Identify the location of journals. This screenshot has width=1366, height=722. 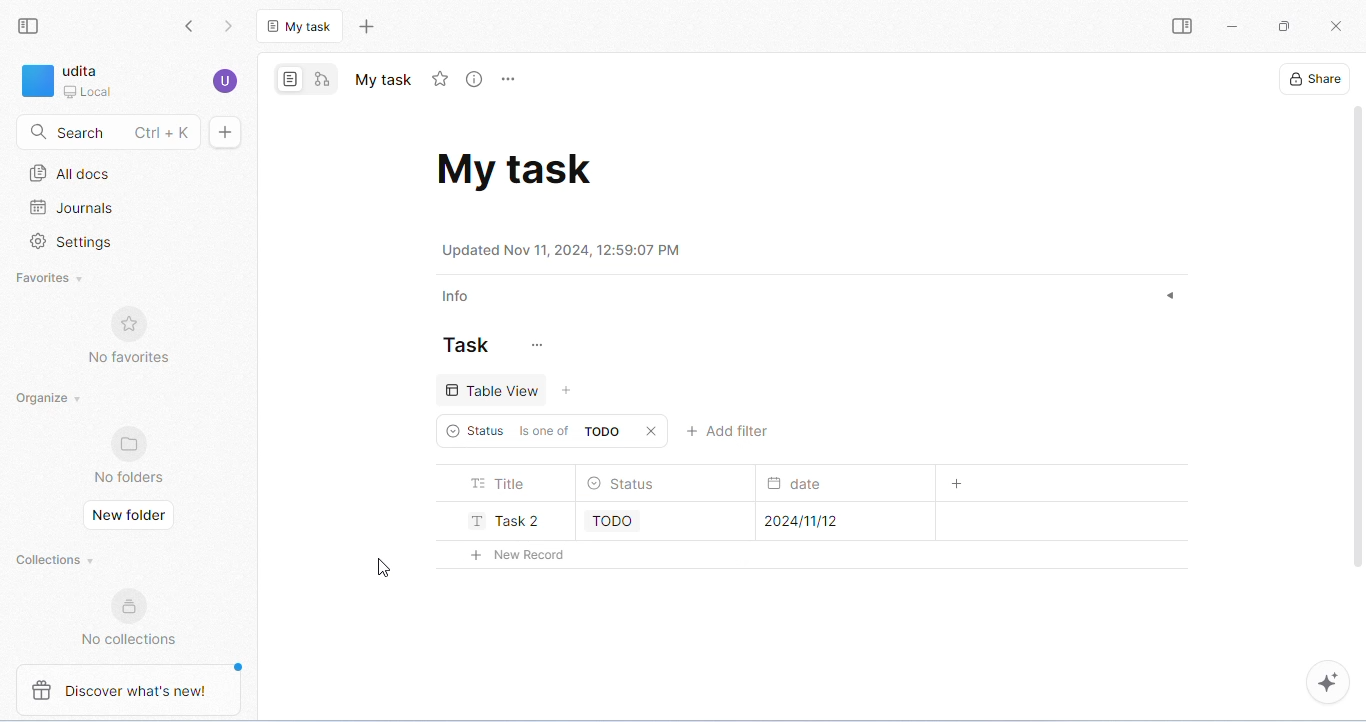
(73, 209).